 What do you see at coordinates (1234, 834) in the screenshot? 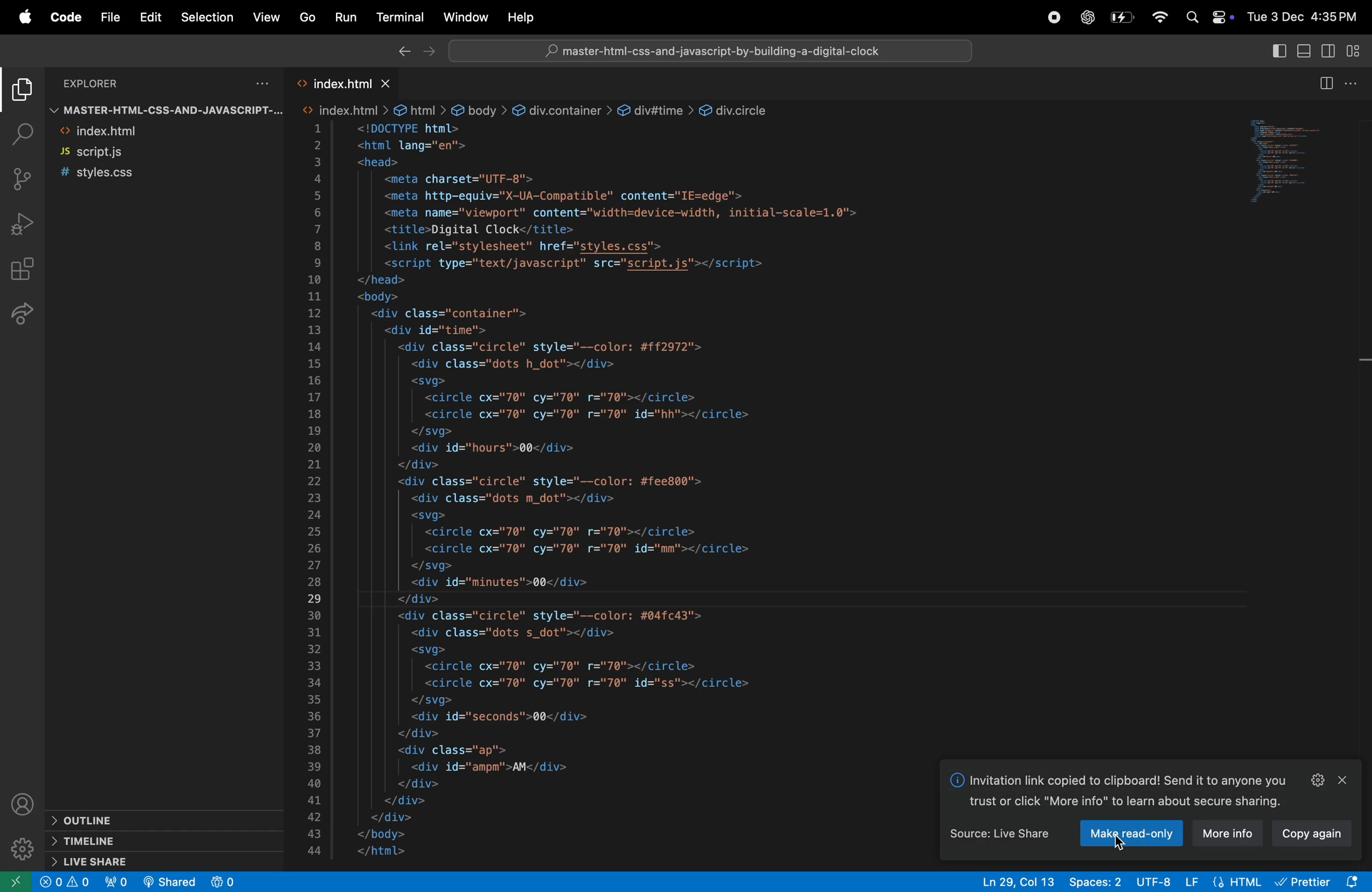
I see `more info` at bounding box center [1234, 834].